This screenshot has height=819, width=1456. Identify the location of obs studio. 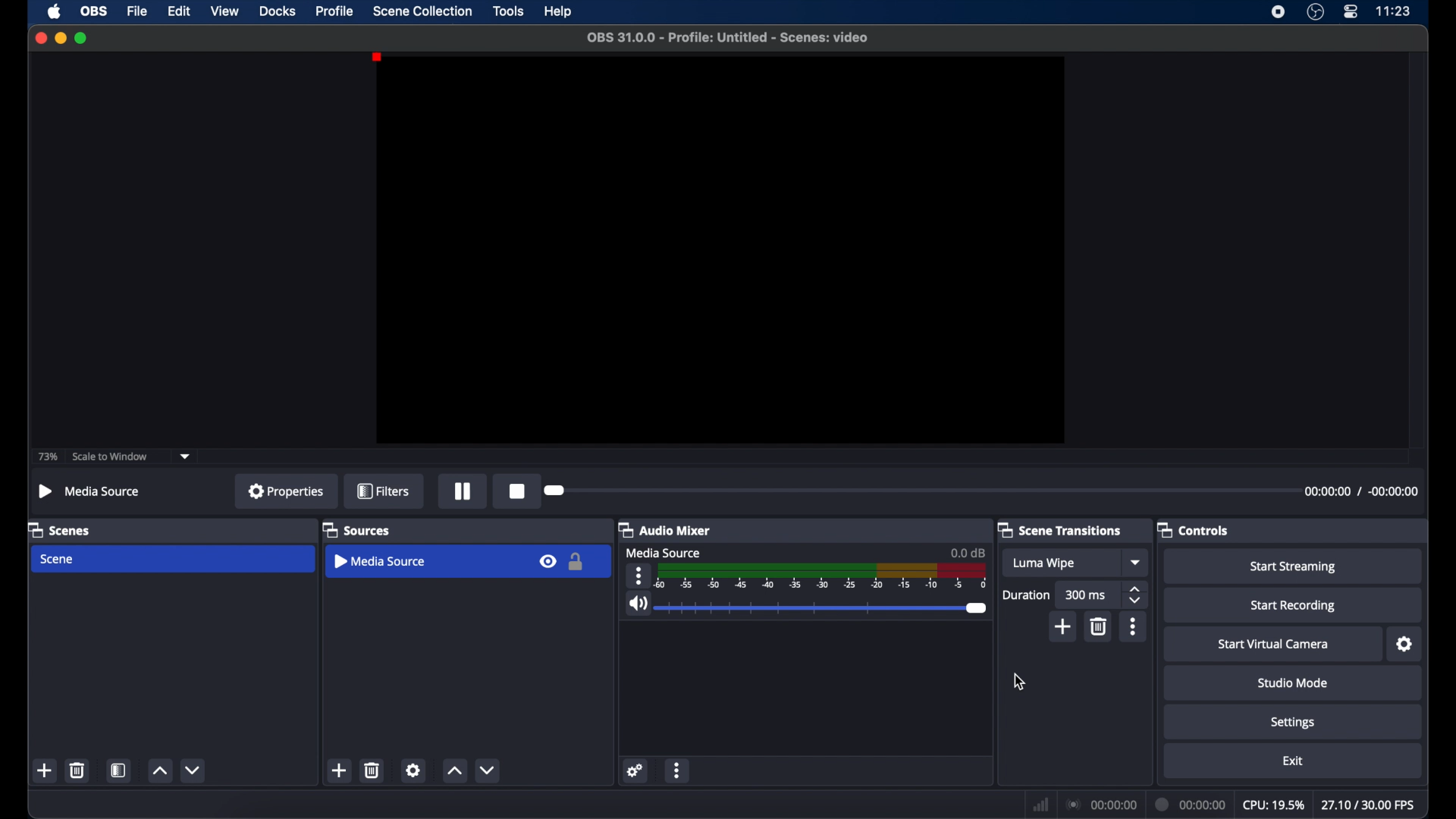
(1315, 12).